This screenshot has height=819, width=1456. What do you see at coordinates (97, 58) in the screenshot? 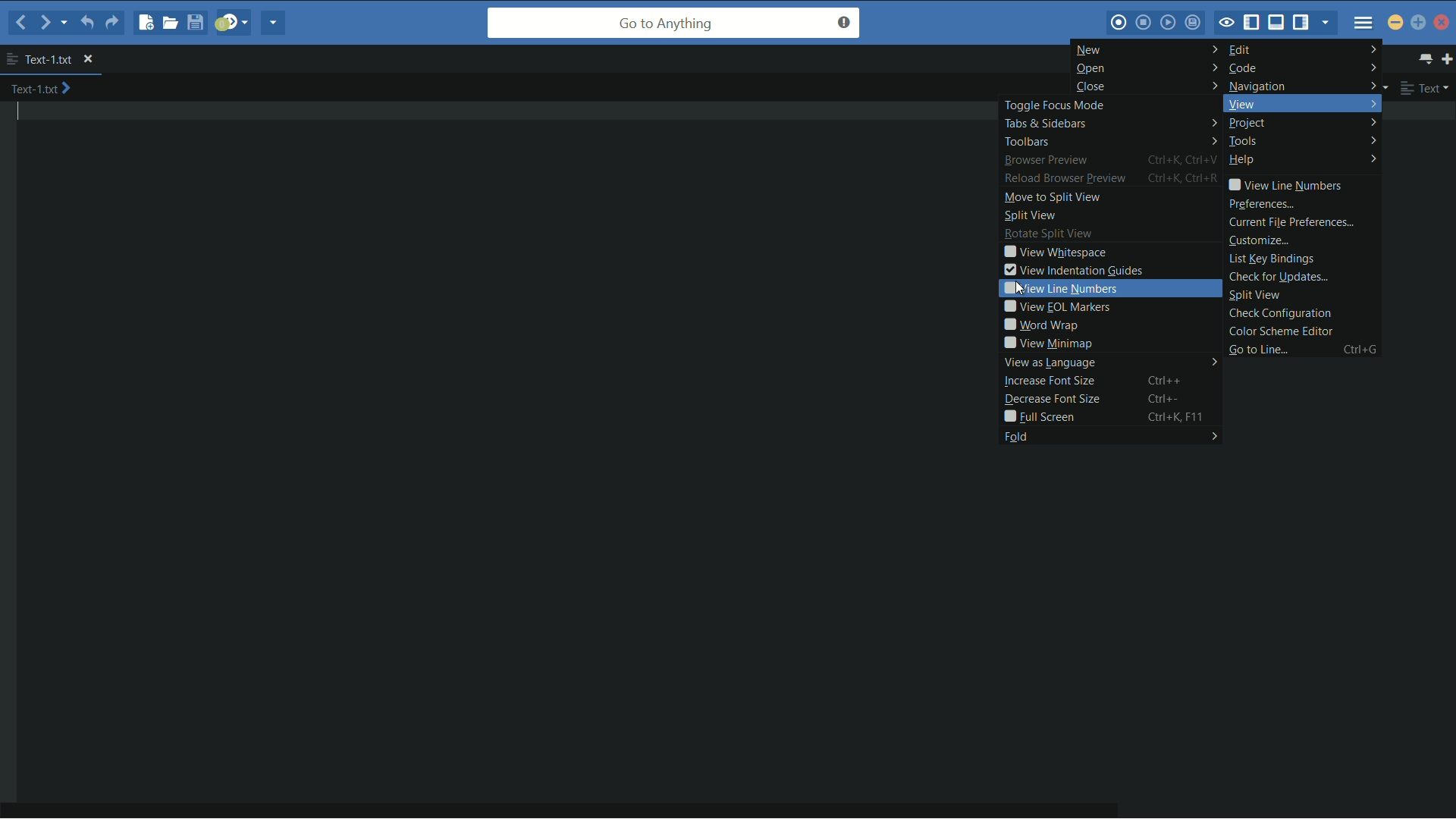
I see `close` at bounding box center [97, 58].